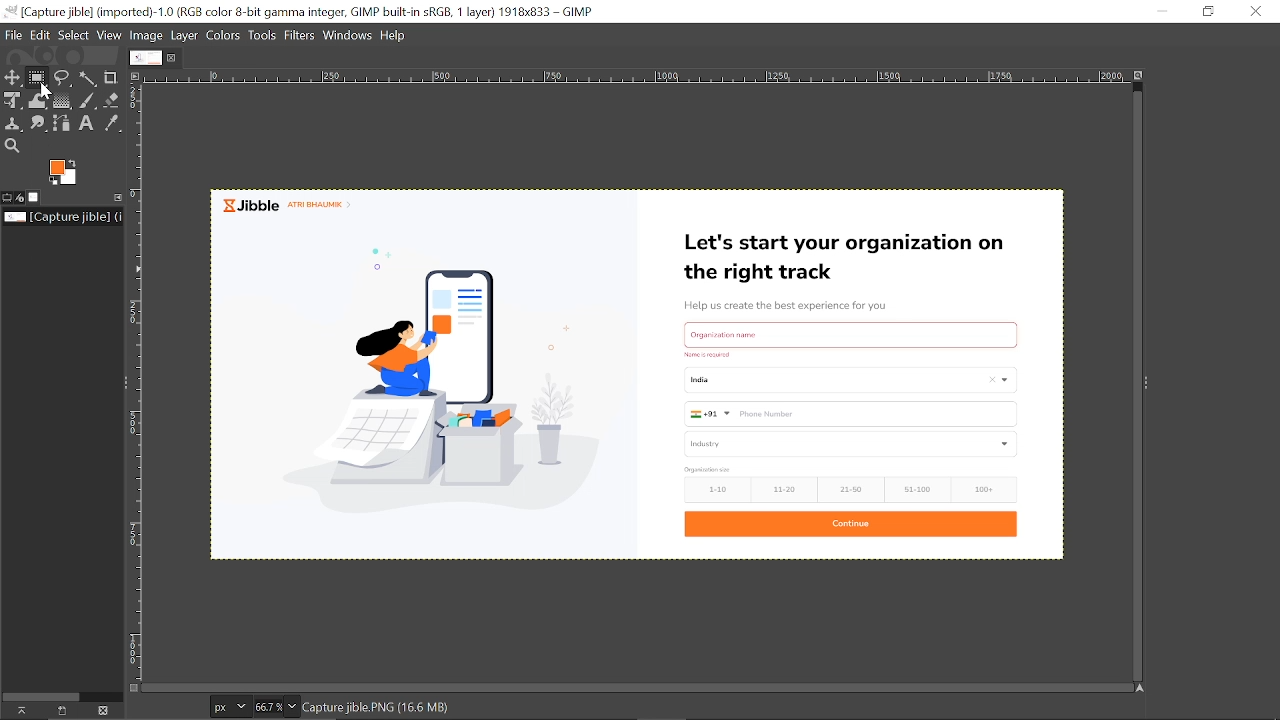 The height and width of the screenshot is (720, 1280). What do you see at coordinates (290, 704) in the screenshot?
I see `Zoom options` at bounding box center [290, 704].